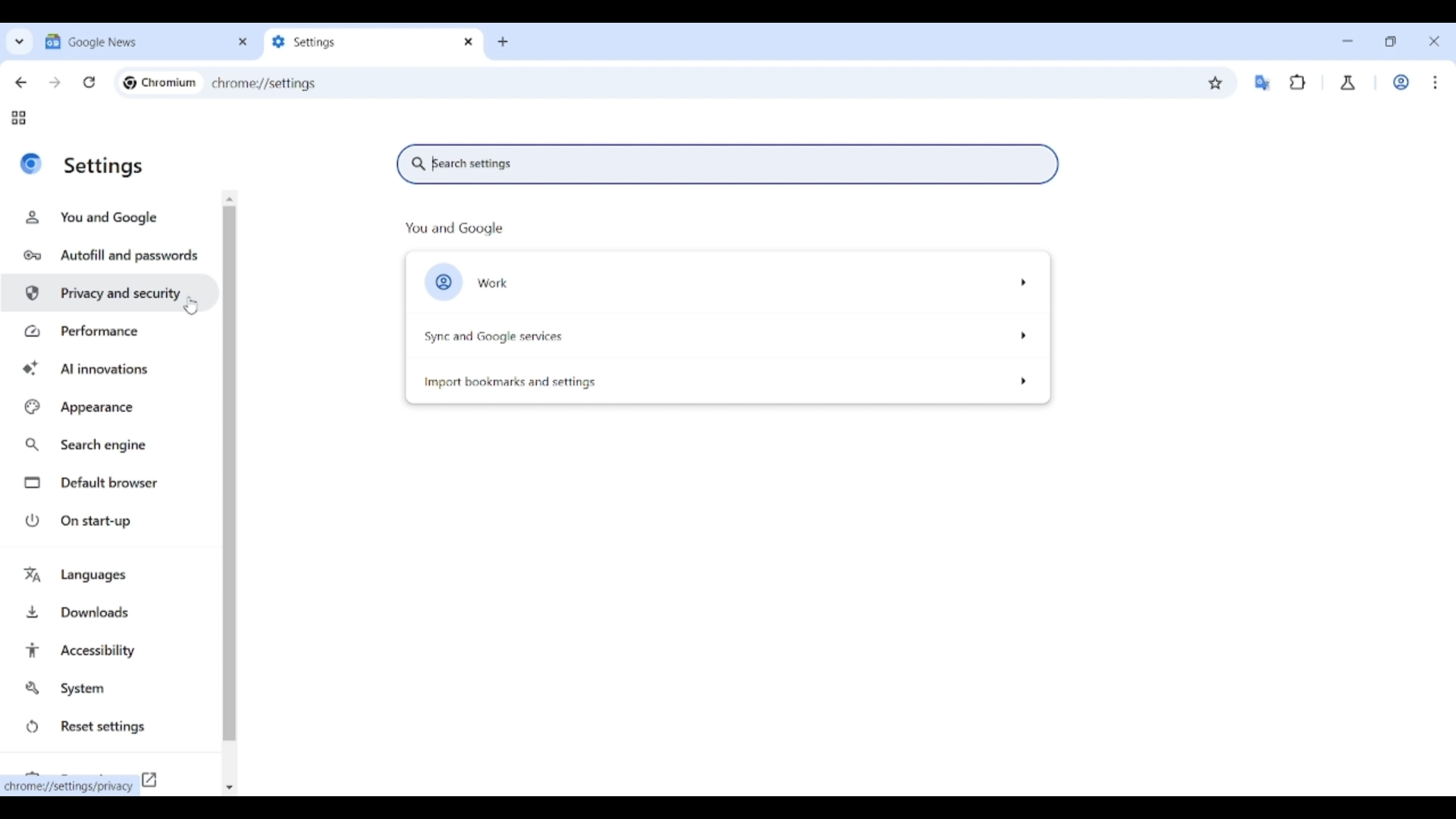 The height and width of the screenshot is (819, 1456). Describe the element at coordinates (111, 651) in the screenshot. I see `Accessibility` at that location.